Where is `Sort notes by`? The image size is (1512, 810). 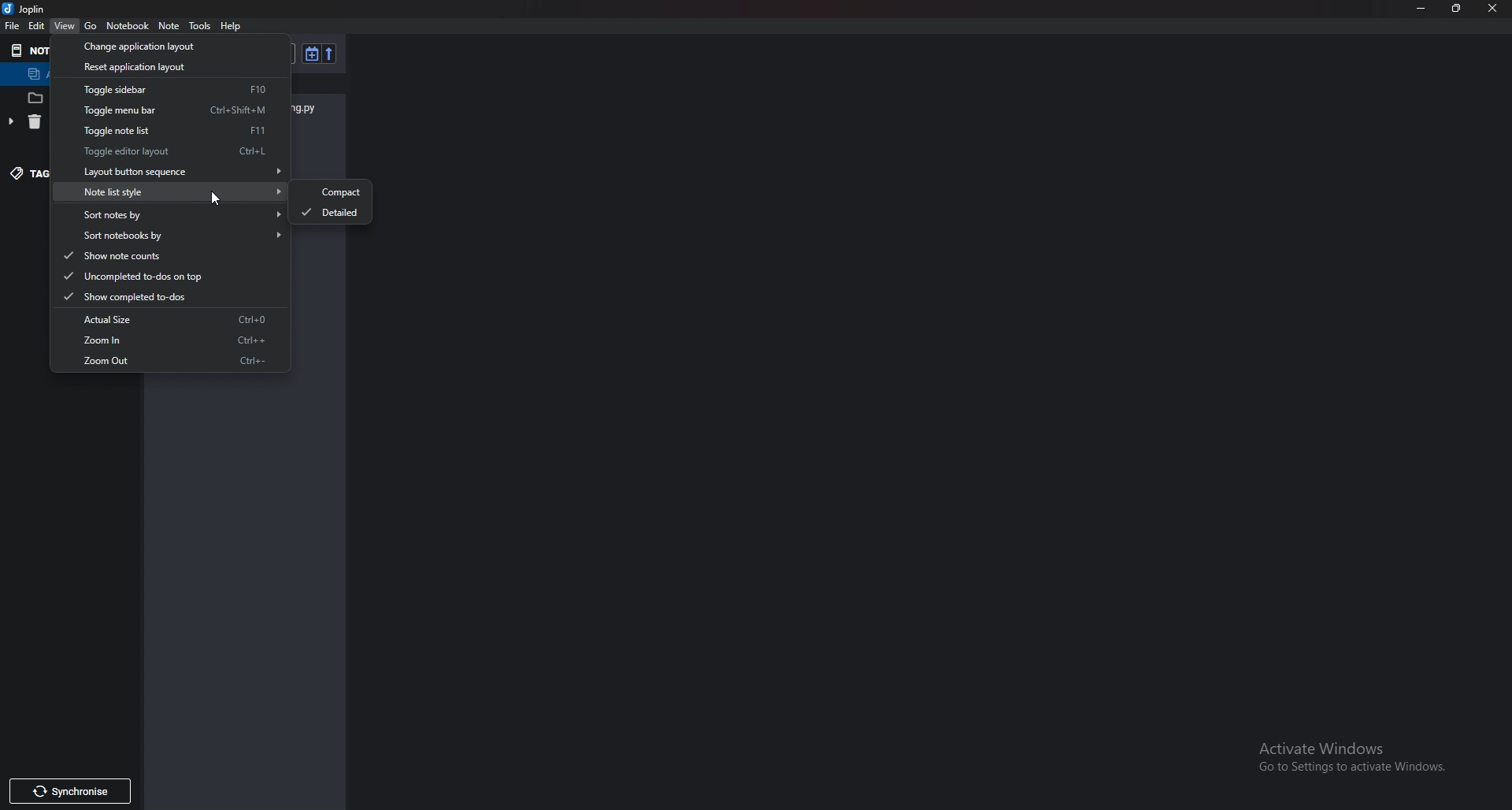
Sort notes by is located at coordinates (176, 214).